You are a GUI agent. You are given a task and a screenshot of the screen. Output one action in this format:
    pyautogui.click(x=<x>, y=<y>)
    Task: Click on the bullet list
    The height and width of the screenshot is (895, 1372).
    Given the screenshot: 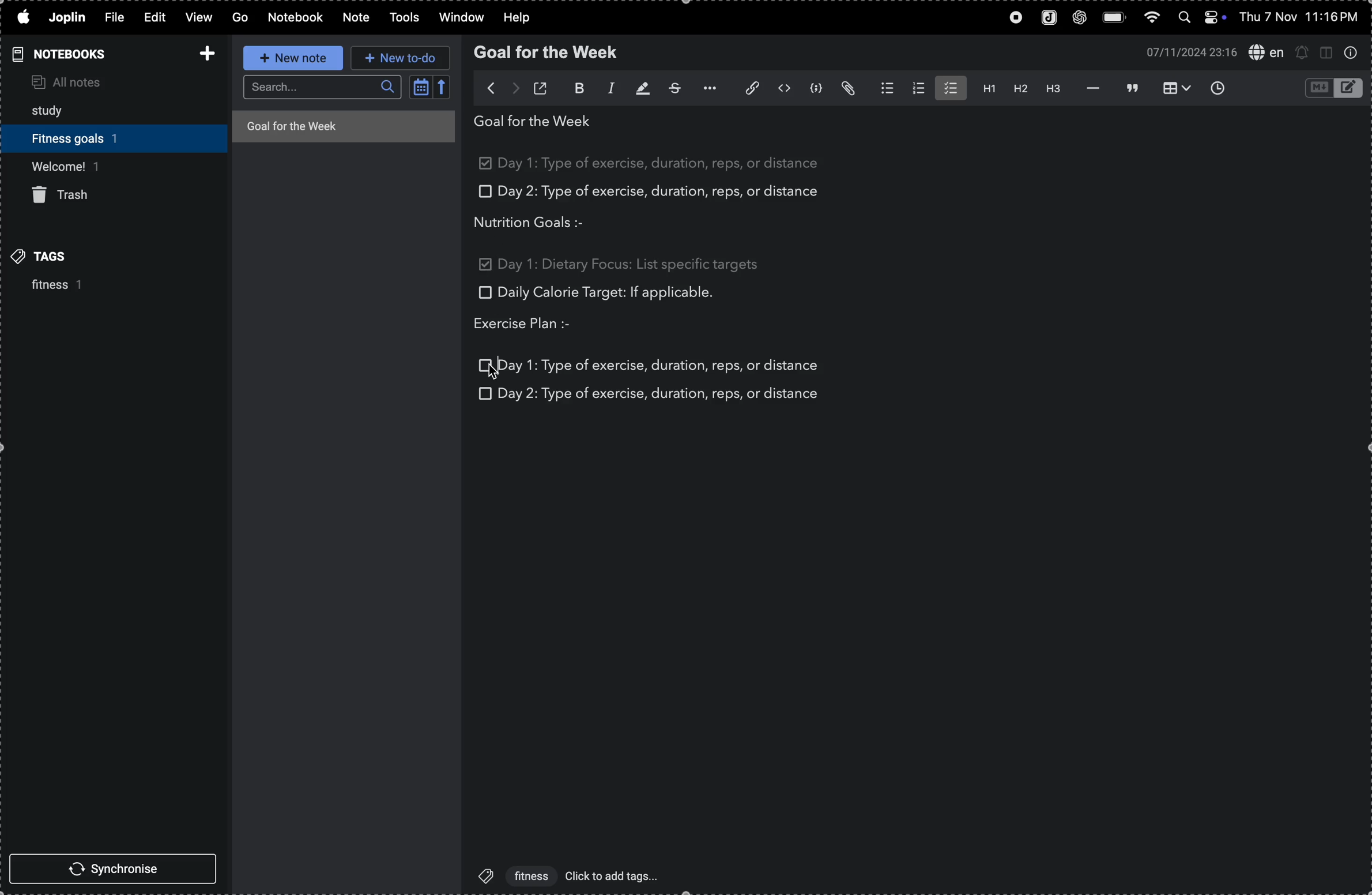 What is the action you would take?
    pyautogui.click(x=882, y=88)
    